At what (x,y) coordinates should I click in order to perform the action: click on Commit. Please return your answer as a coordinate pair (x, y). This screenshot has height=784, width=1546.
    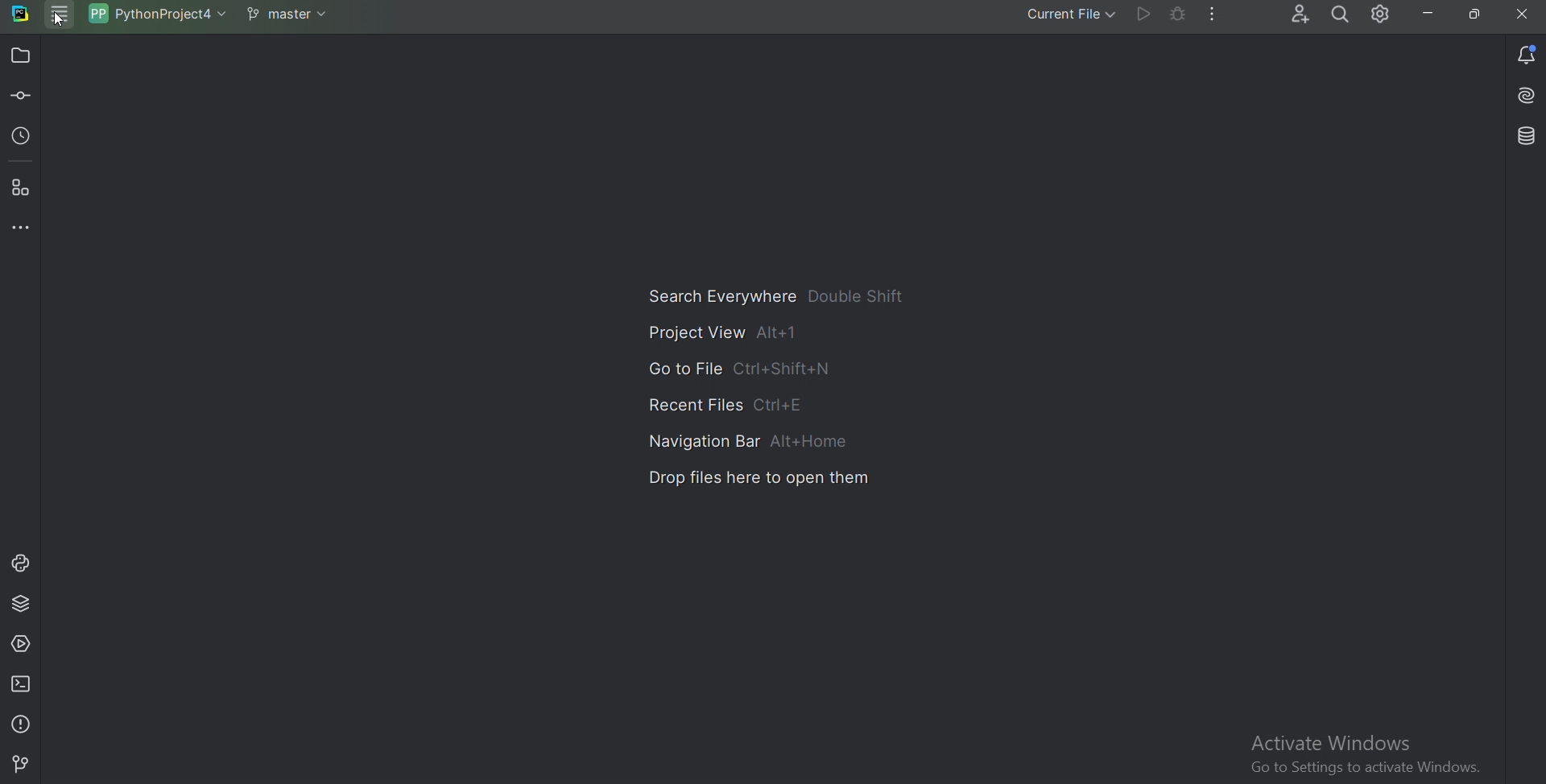
    Looking at the image, I should click on (20, 97).